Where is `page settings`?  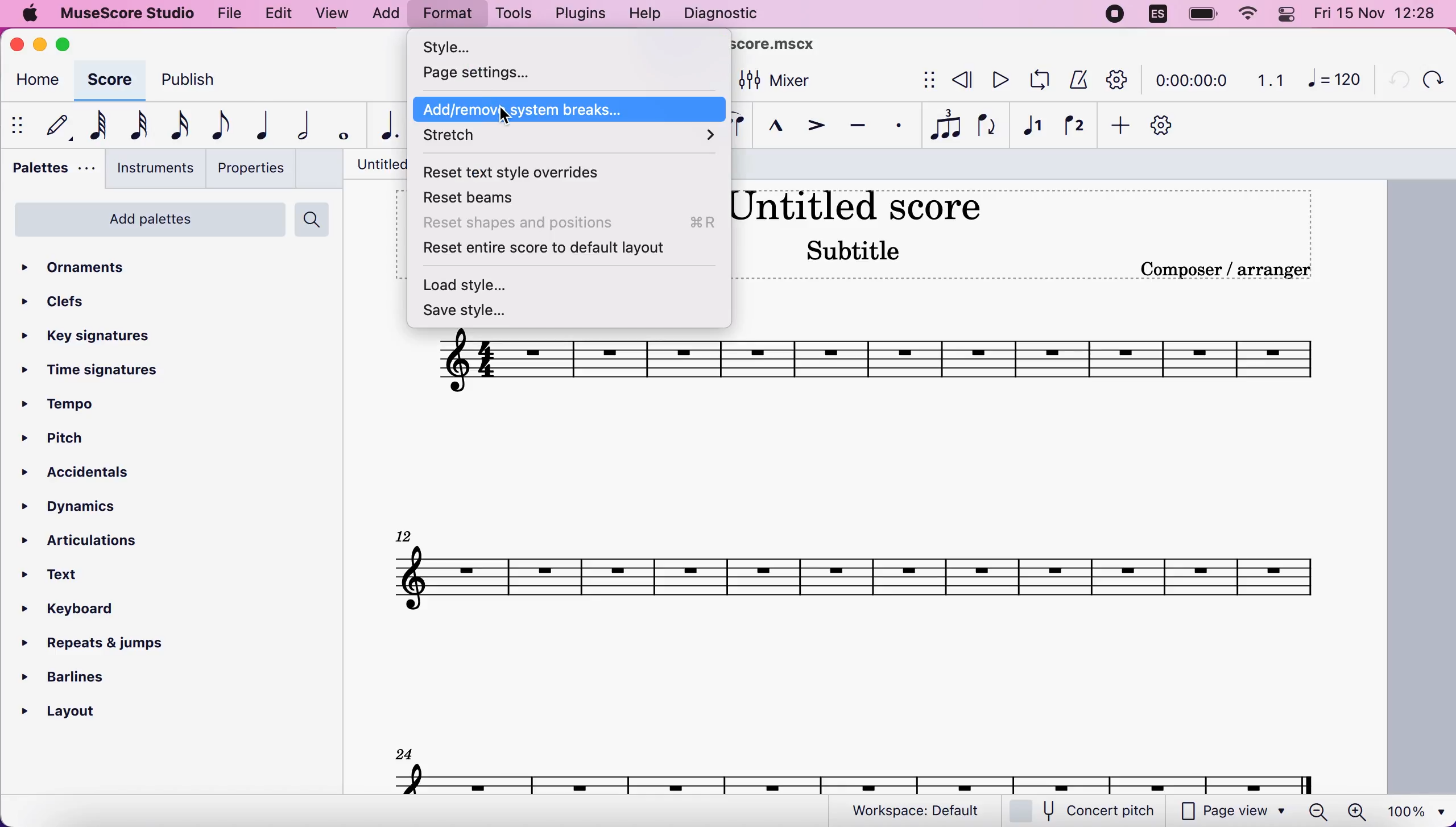
page settings is located at coordinates (504, 73).